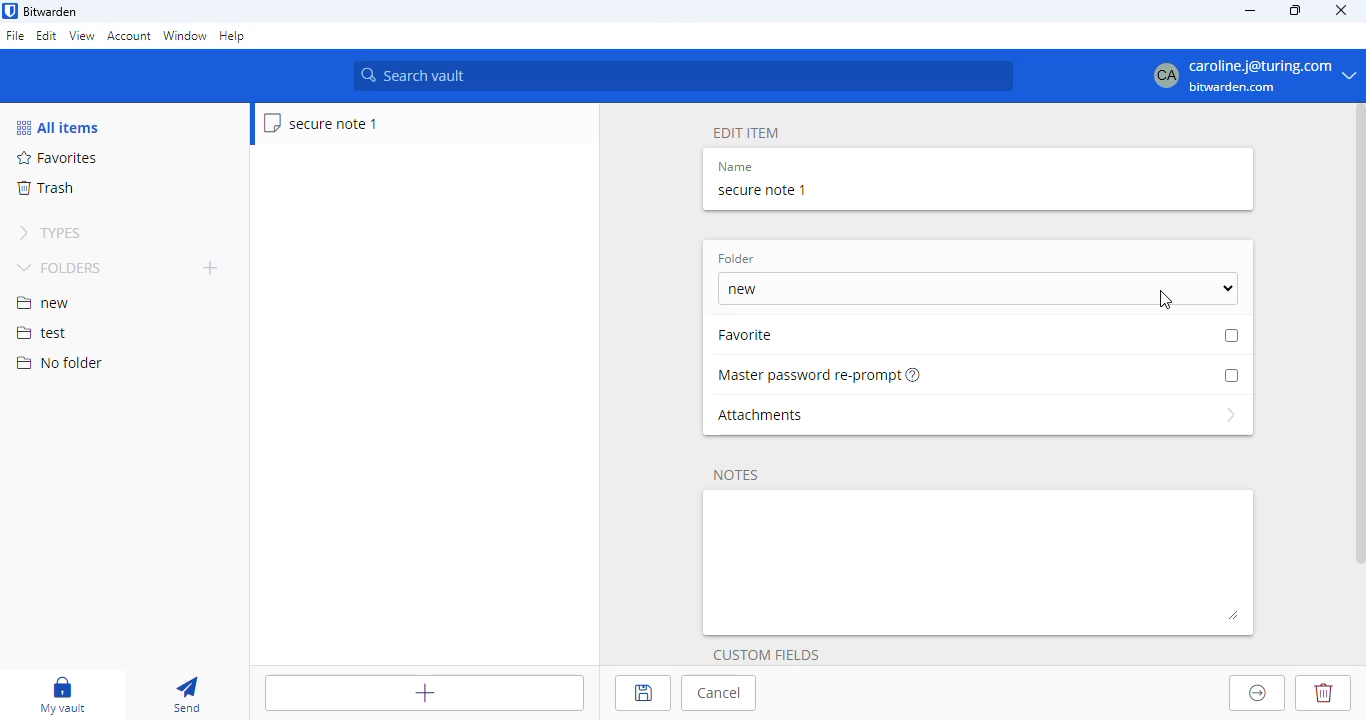 Image resolution: width=1366 pixels, height=720 pixels. Describe the element at coordinates (1247, 75) in the screenshot. I see `profile` at that location.